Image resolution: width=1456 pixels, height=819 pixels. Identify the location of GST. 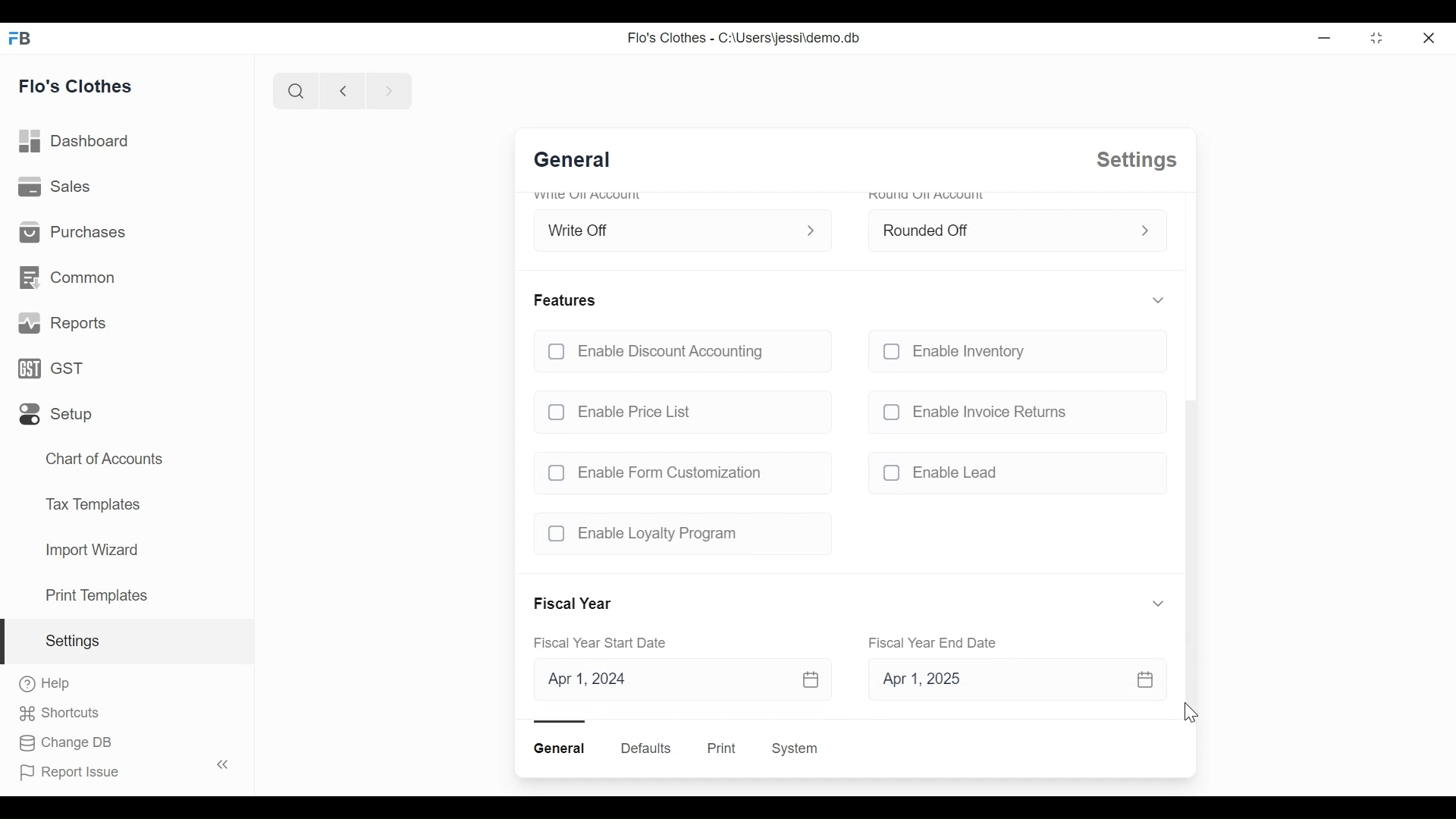
(57, 369).